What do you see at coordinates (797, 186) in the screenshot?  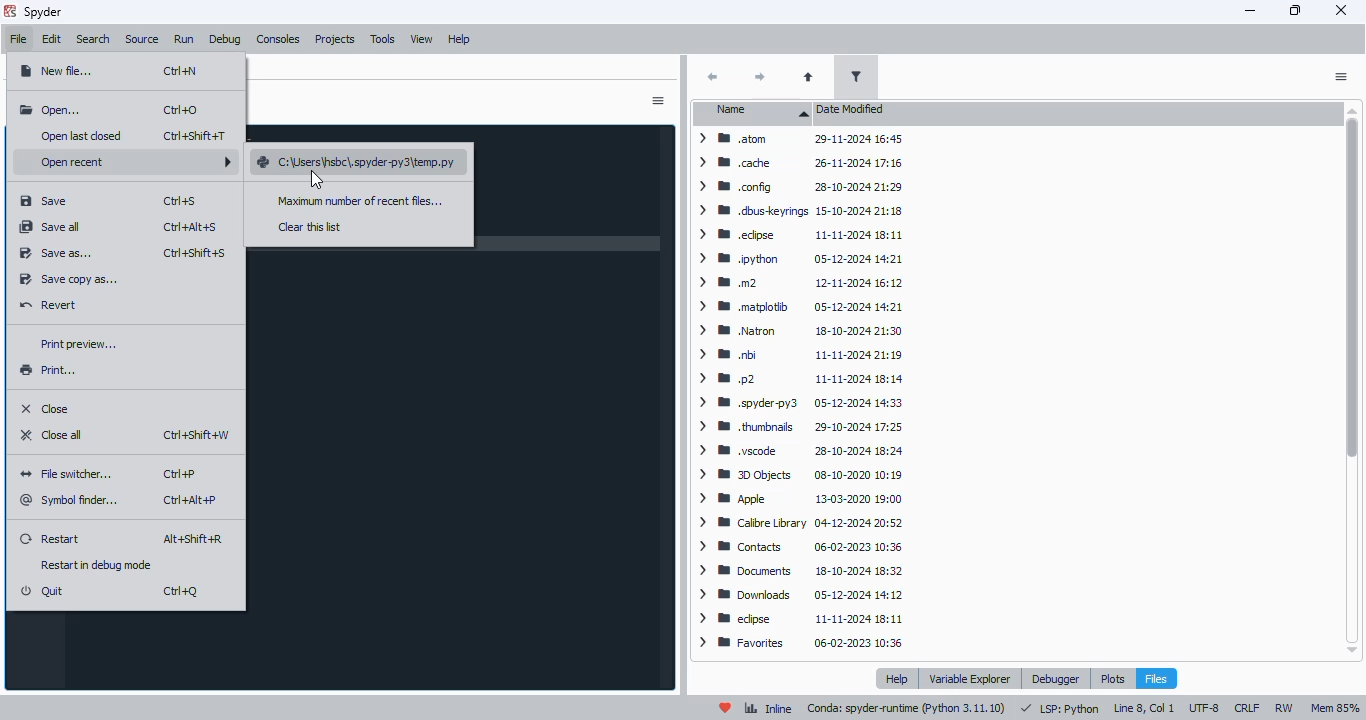 I see `> MW config 28-10-2024 21:29` at bounding box center [797, 186].